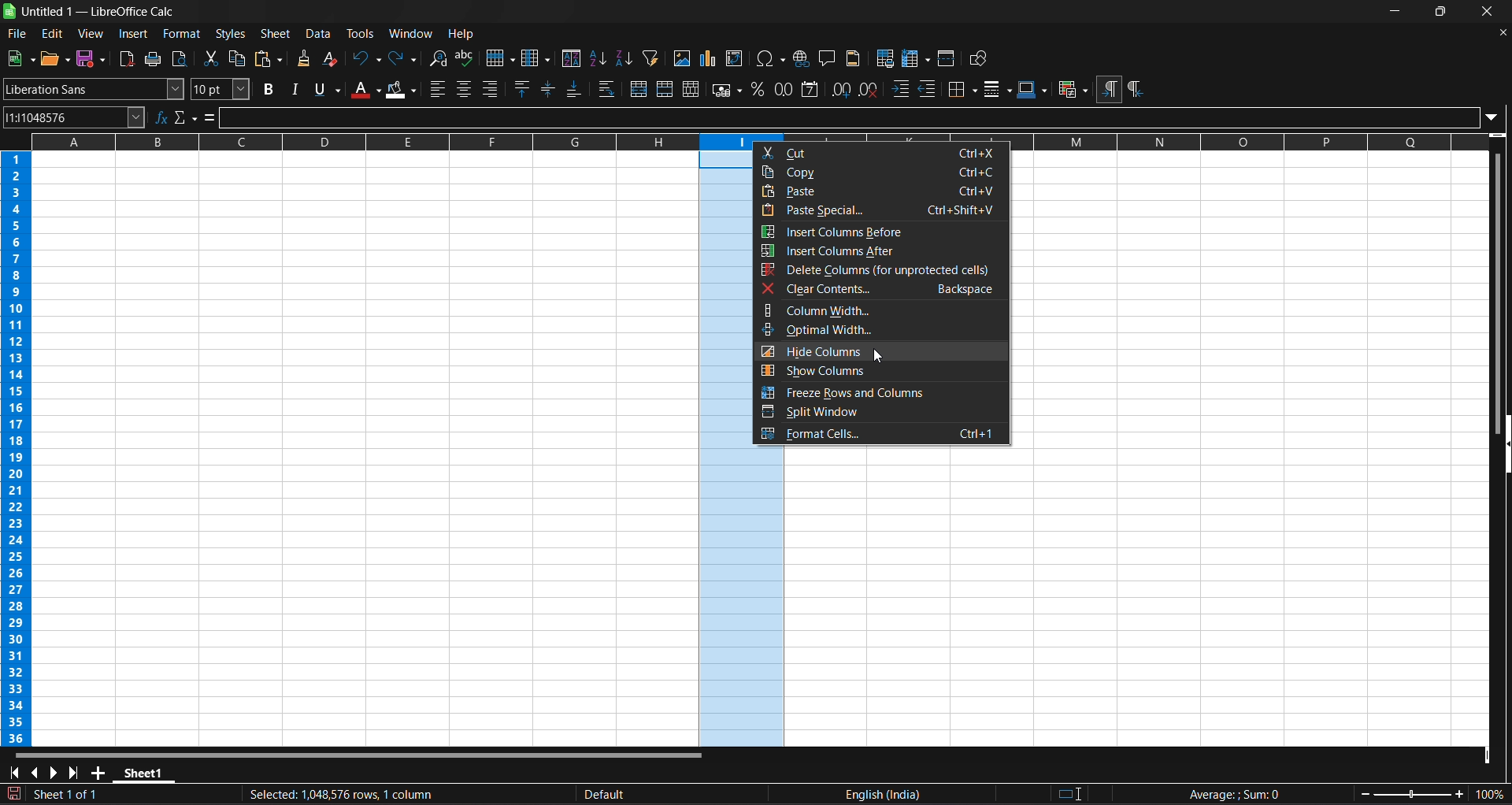 The height and width of the screenshot is (805, 1512). Describe the element at coordinates (468, 57) in the screenshot. I see `spelling` at that location.